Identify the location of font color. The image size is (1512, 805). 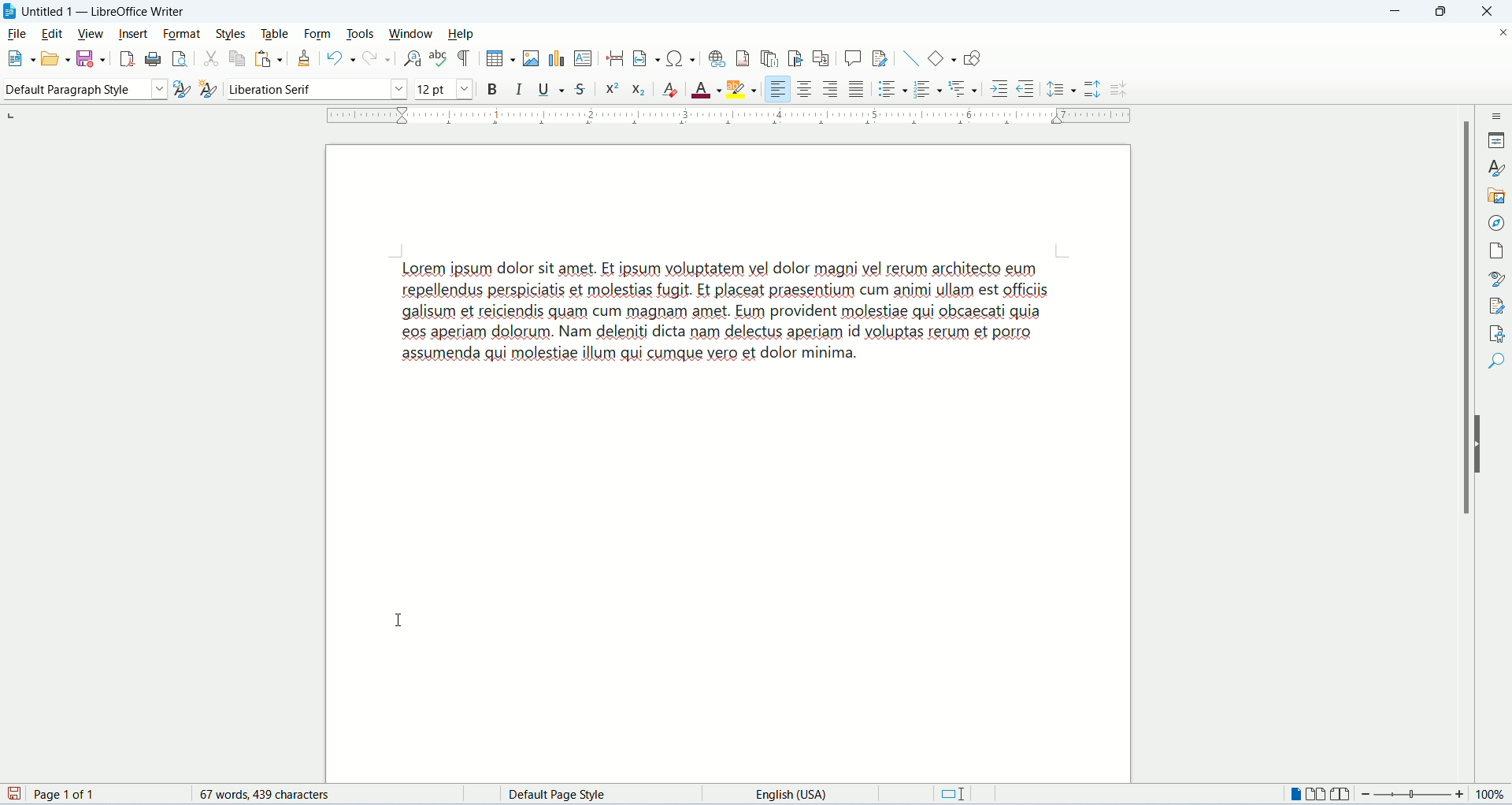
(706, 89).